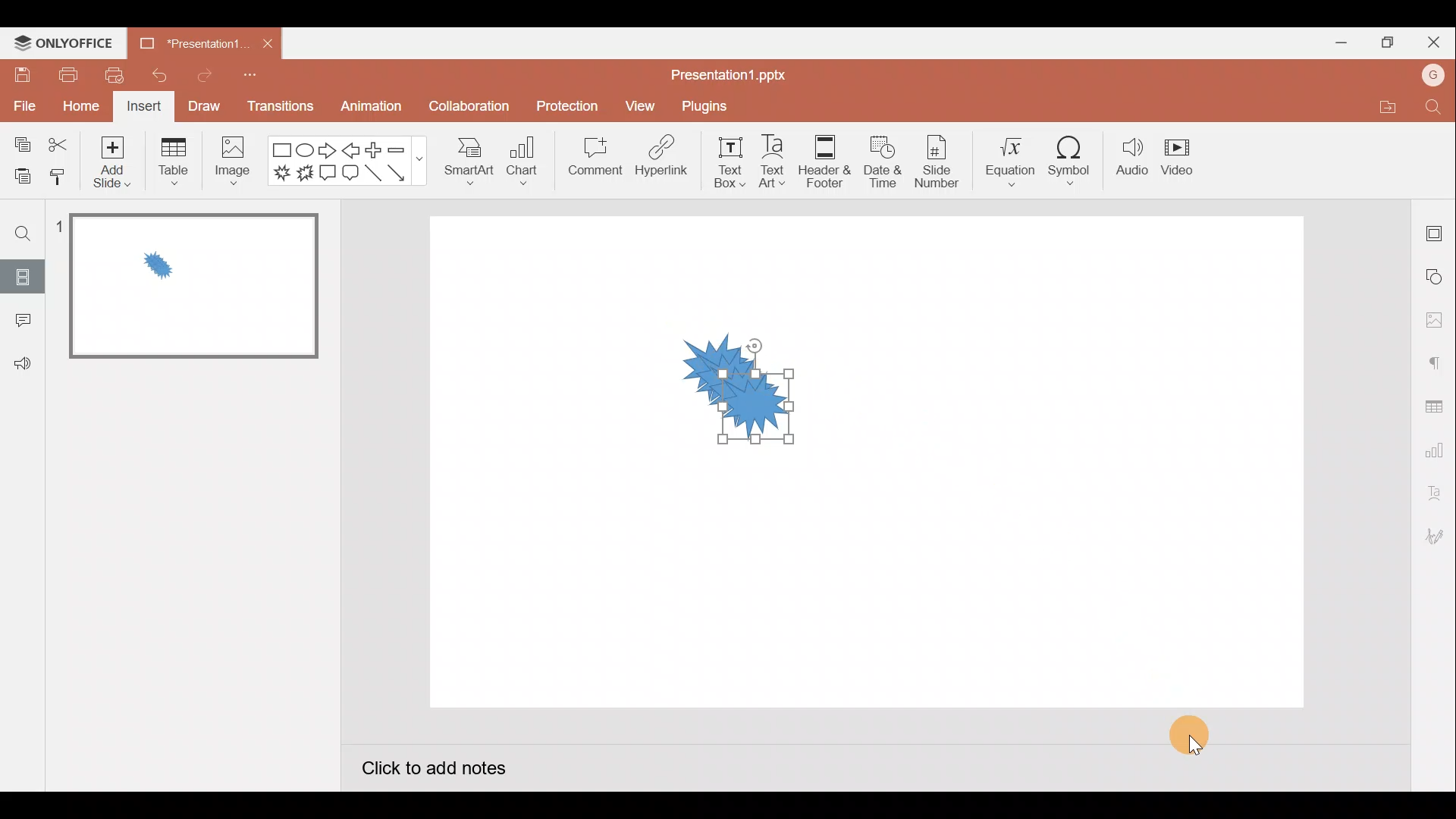 The height and width of the screenshot is (819, 1456). What do you see at coordinates (1384, 42) in the screenshot?
I see `Maximize` at bounding box center [1384, 42].